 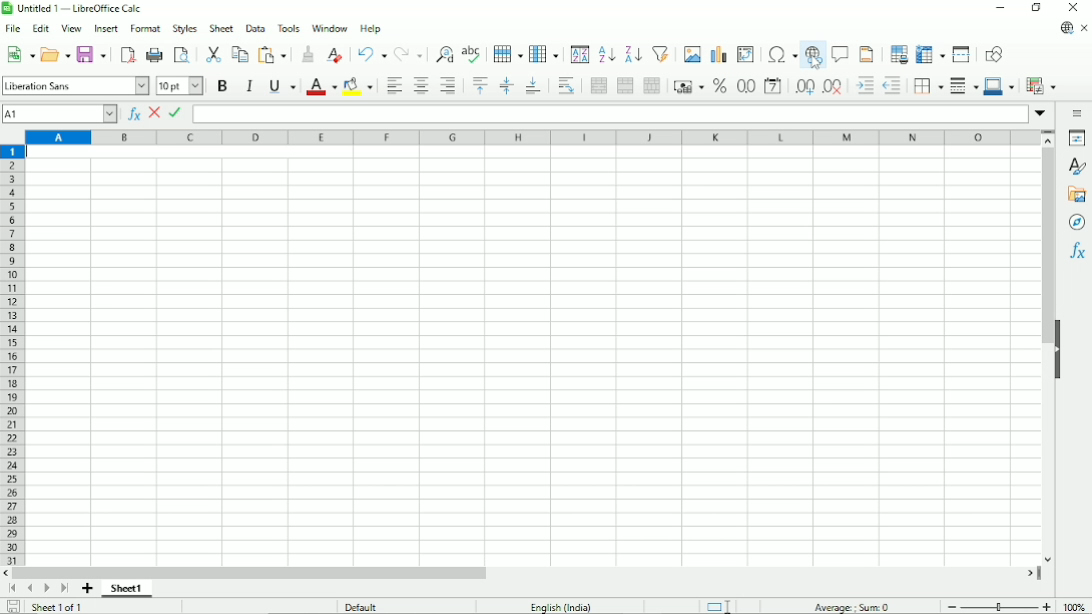 What do you see at coordinates (865, 85) in the screenshot?
I see `Increase indent` at bounding box center [865, 85].